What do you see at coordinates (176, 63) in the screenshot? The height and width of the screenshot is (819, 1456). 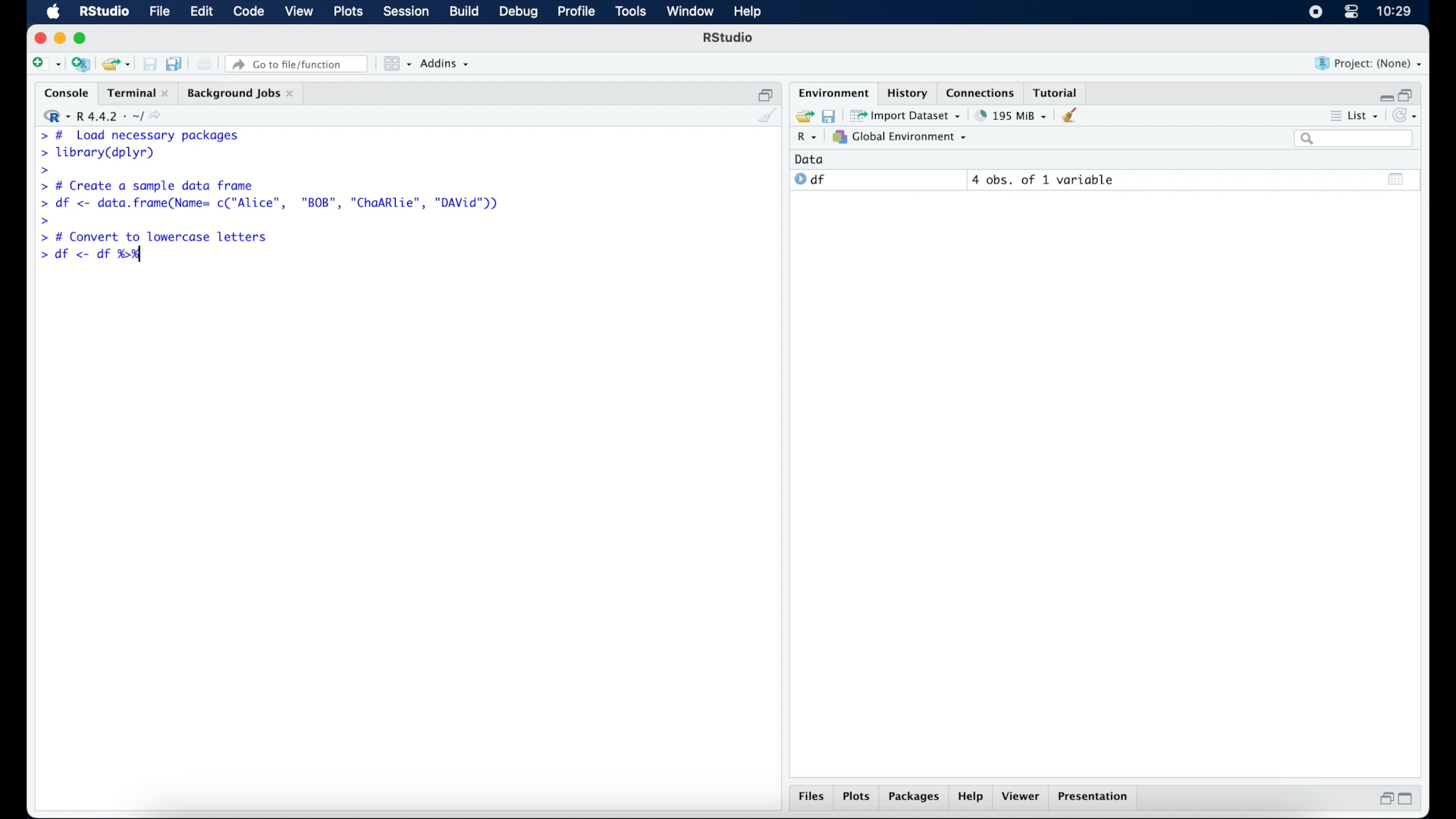 I see `save all documents ` at bounding box center [176, 63].